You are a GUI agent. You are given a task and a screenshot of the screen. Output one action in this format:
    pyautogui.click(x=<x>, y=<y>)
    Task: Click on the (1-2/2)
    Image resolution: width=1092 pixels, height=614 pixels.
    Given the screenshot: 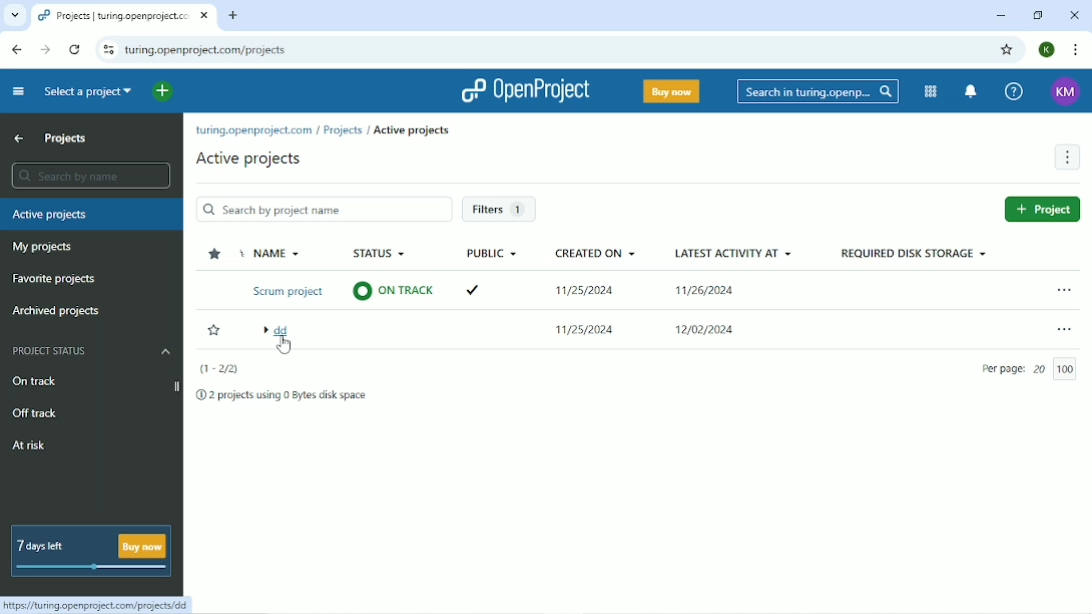 What is the action you would take?
    pyautogui.click(x=217, y=370)
    